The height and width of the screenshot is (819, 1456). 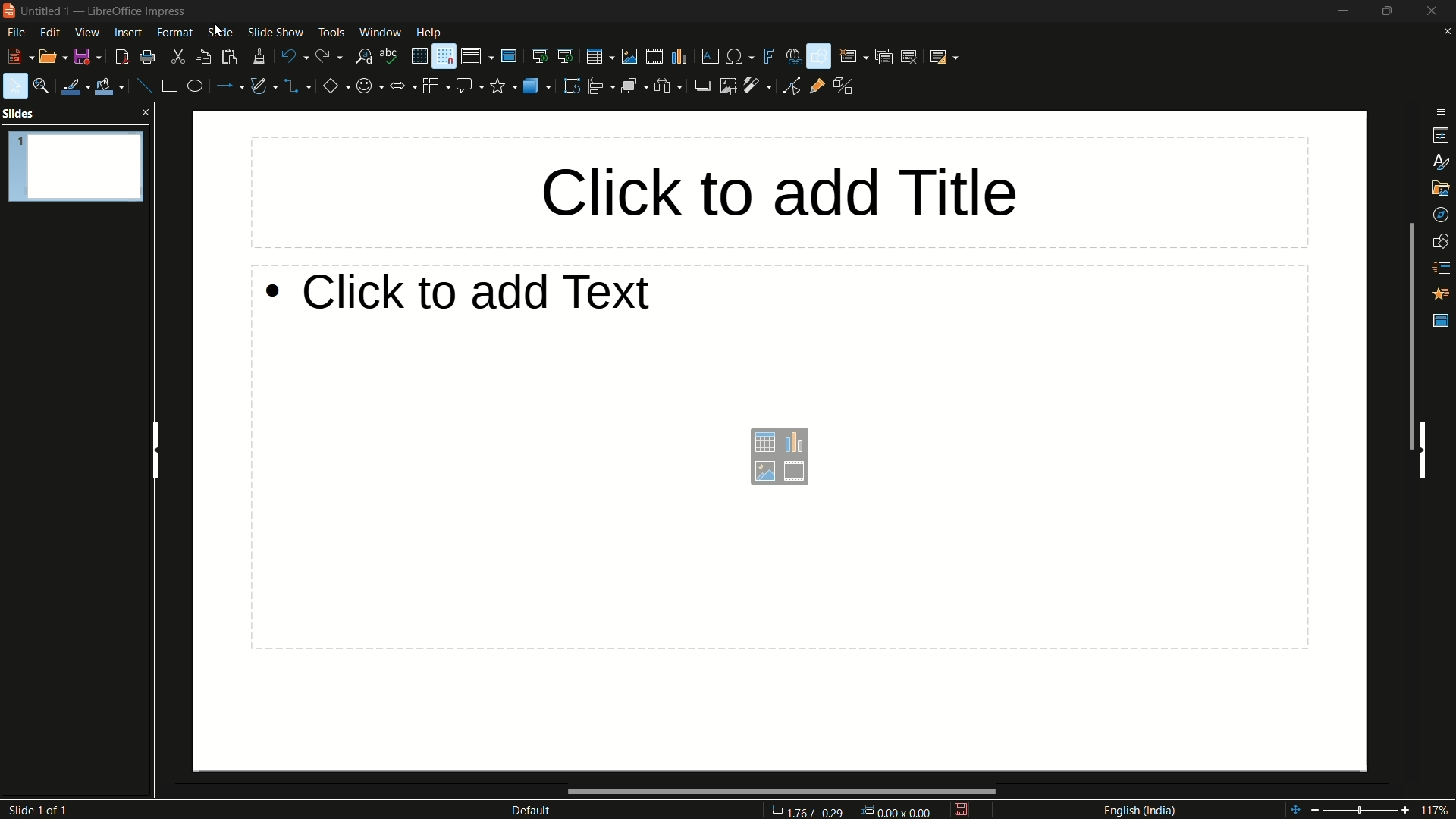 I want to click on insert textbox, so click(x=710, y=55).